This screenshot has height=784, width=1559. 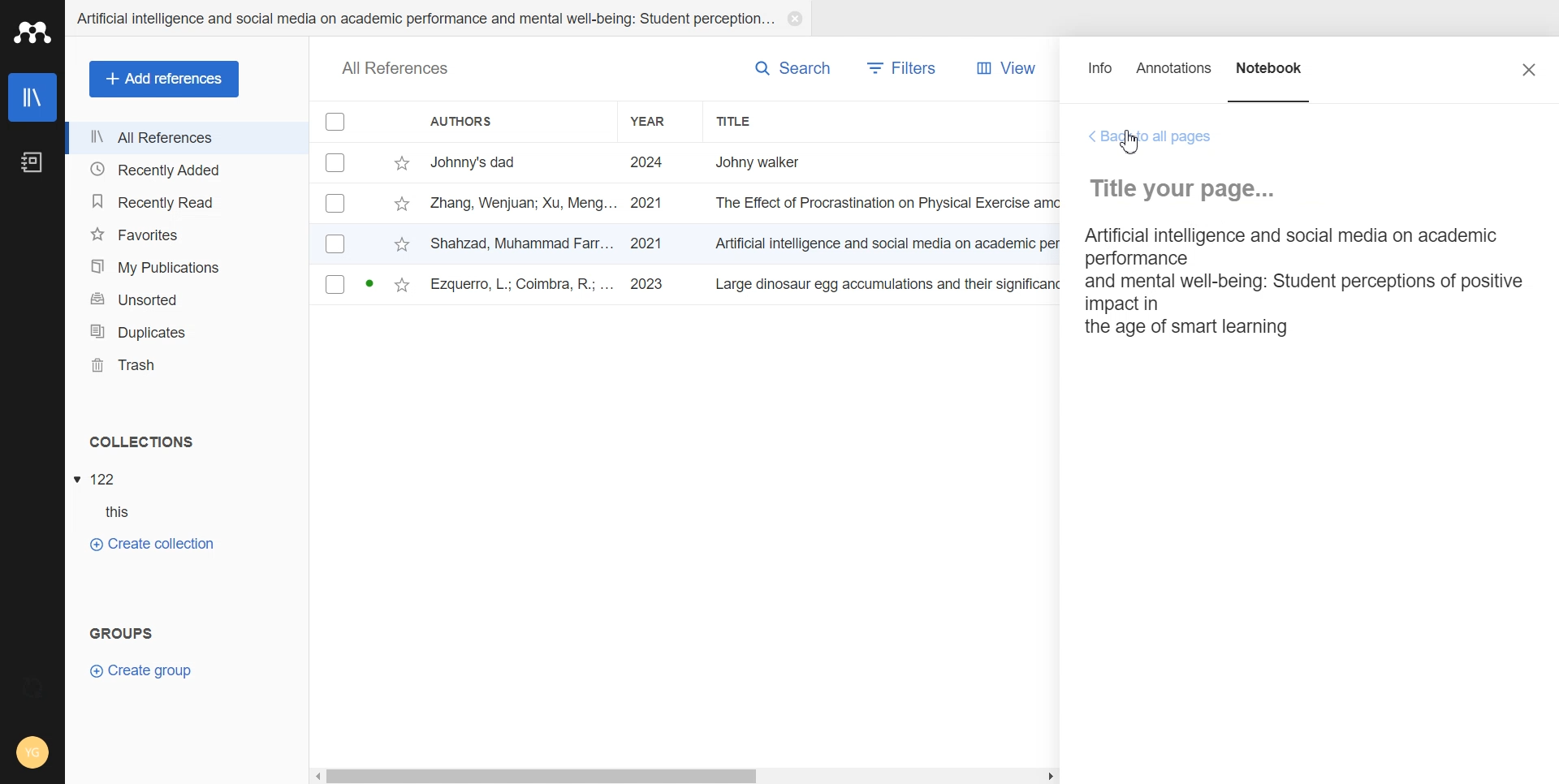 I want to click on all references, so click(x=395, y=70).